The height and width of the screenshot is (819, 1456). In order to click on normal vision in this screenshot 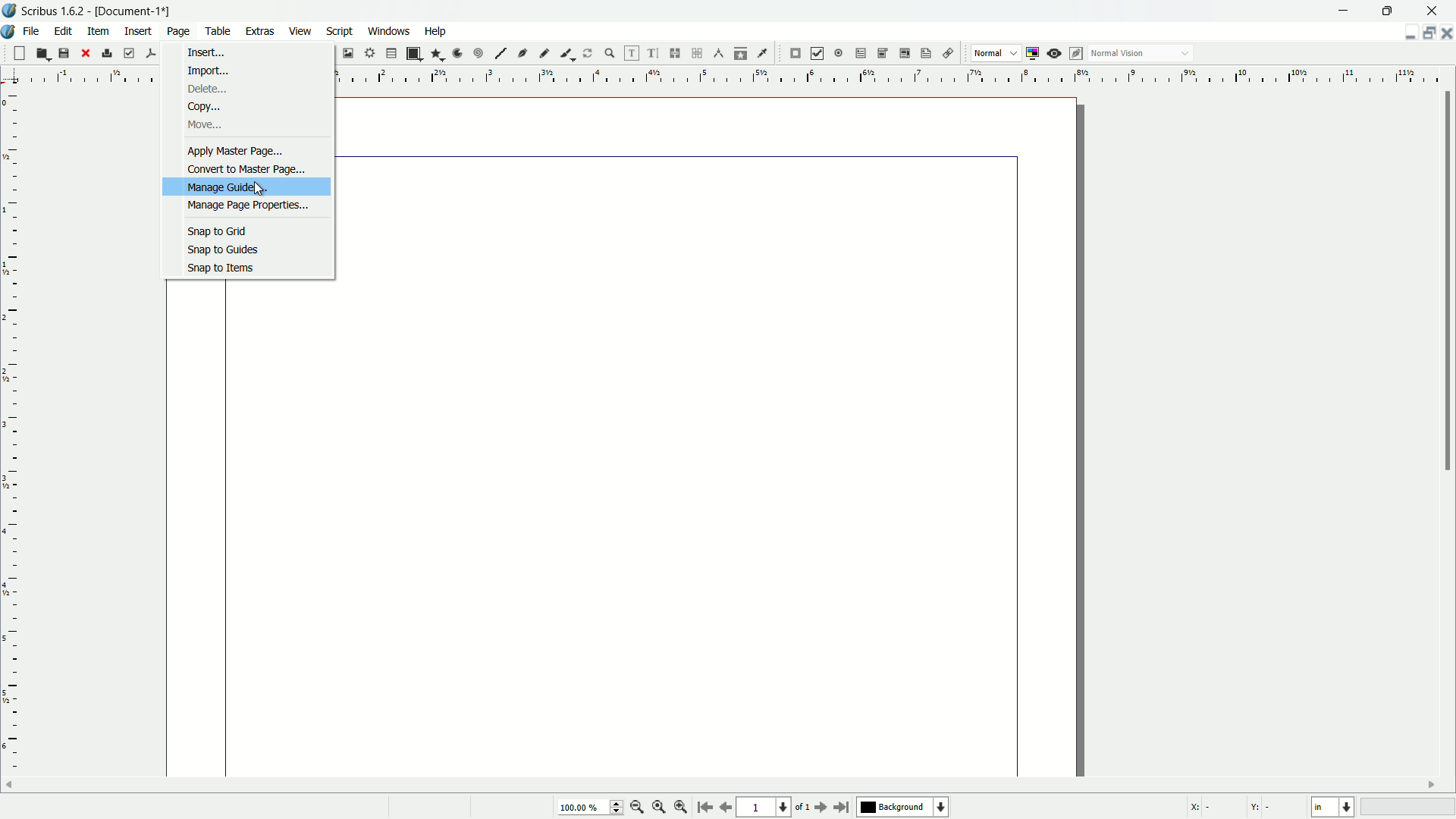, I will do `click(1119, 54)`.